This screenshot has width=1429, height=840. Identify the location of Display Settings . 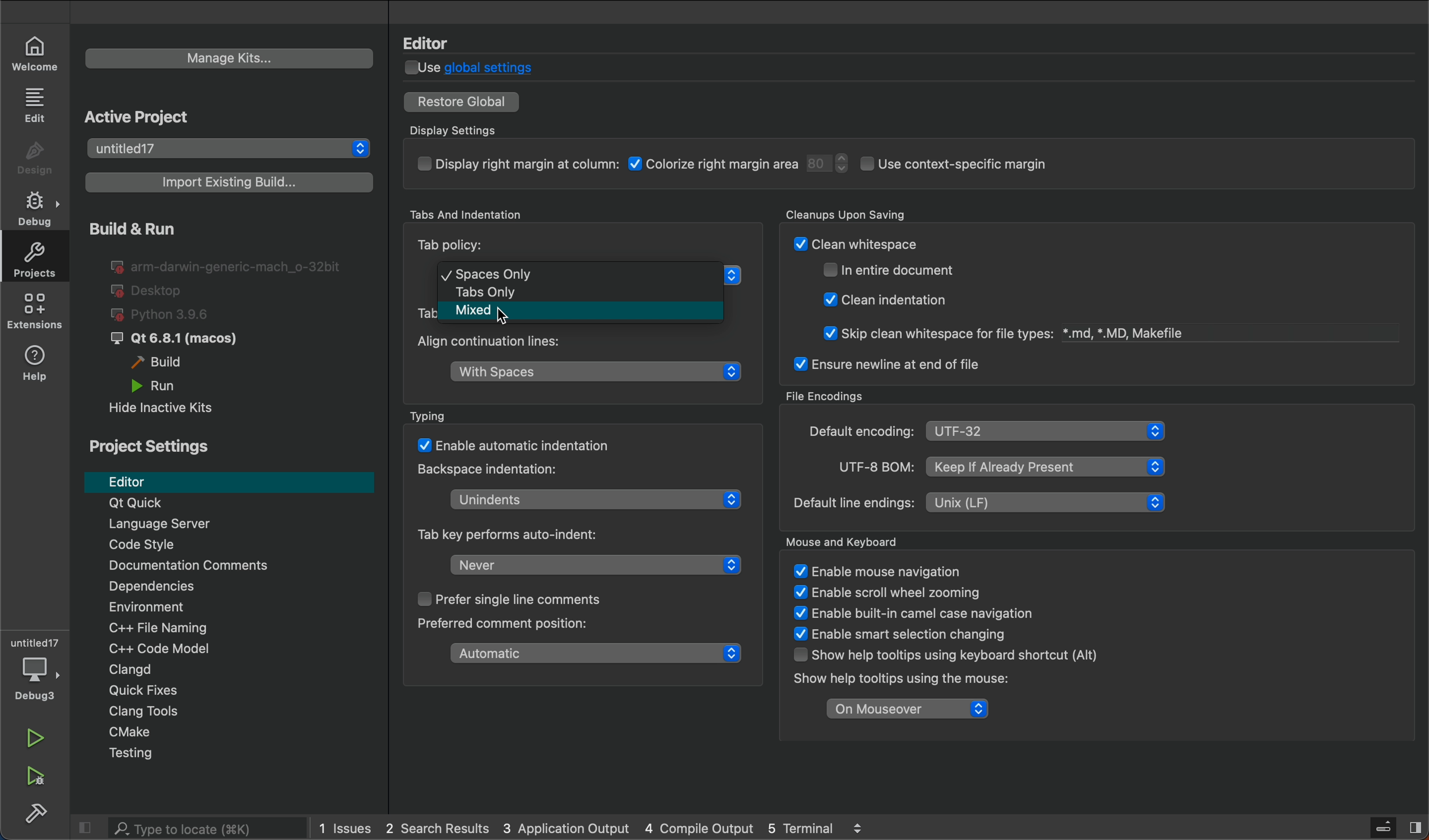
(468, 125).